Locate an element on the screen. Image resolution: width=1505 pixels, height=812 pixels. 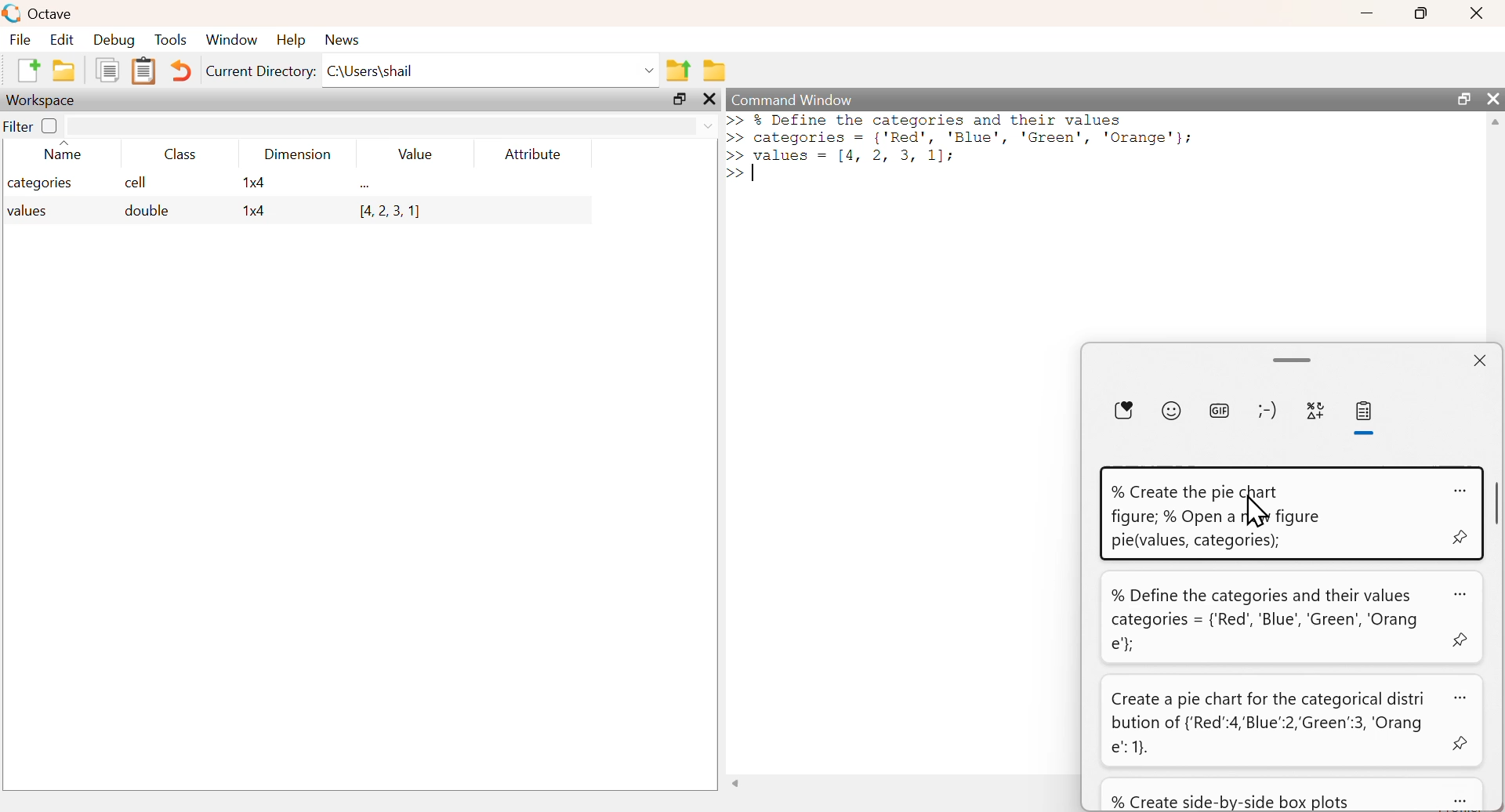
more options is located at coordinates (1461, 698).